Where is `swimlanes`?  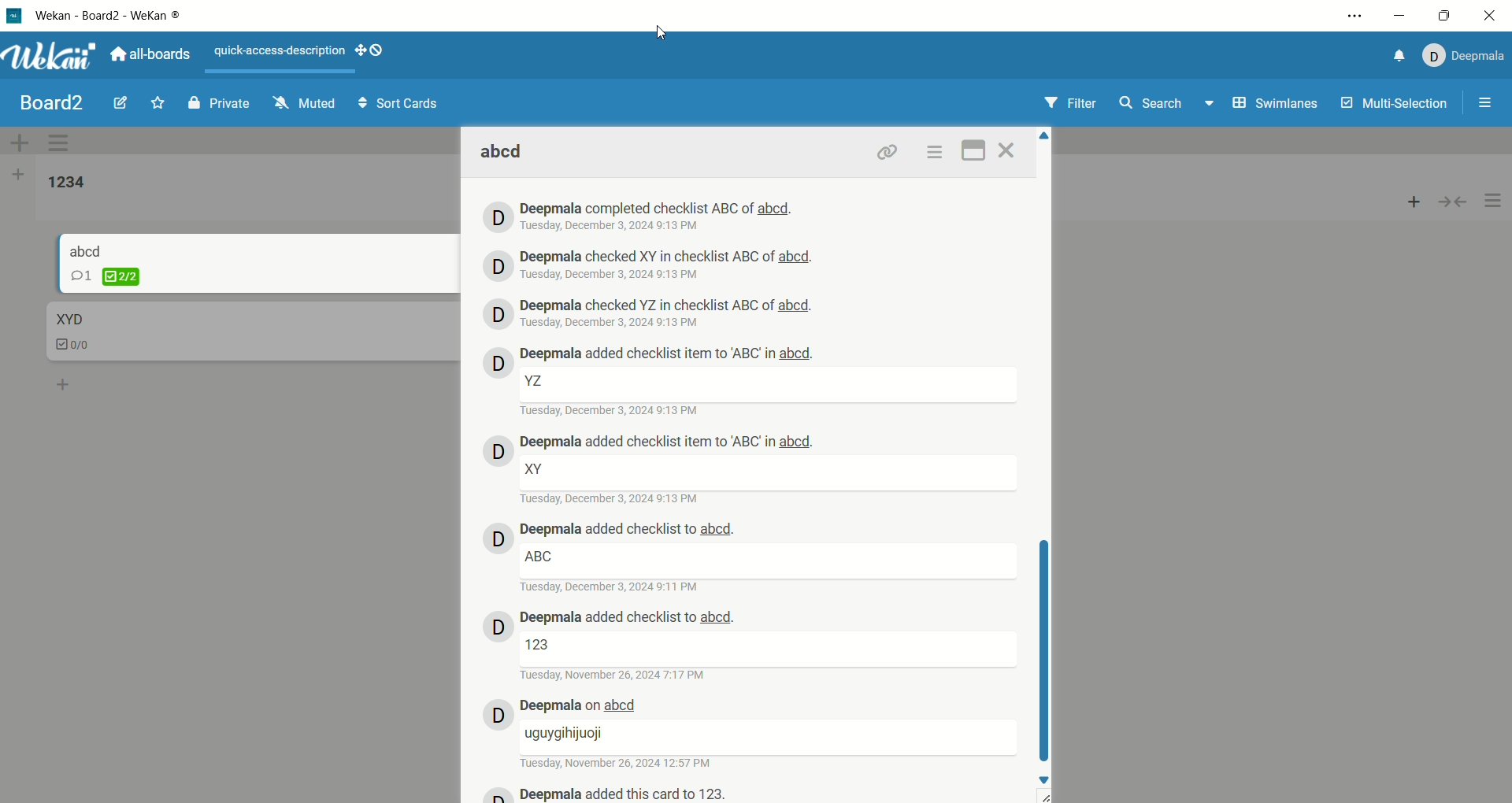
swimlanes is located at coordinates (1277, 105).